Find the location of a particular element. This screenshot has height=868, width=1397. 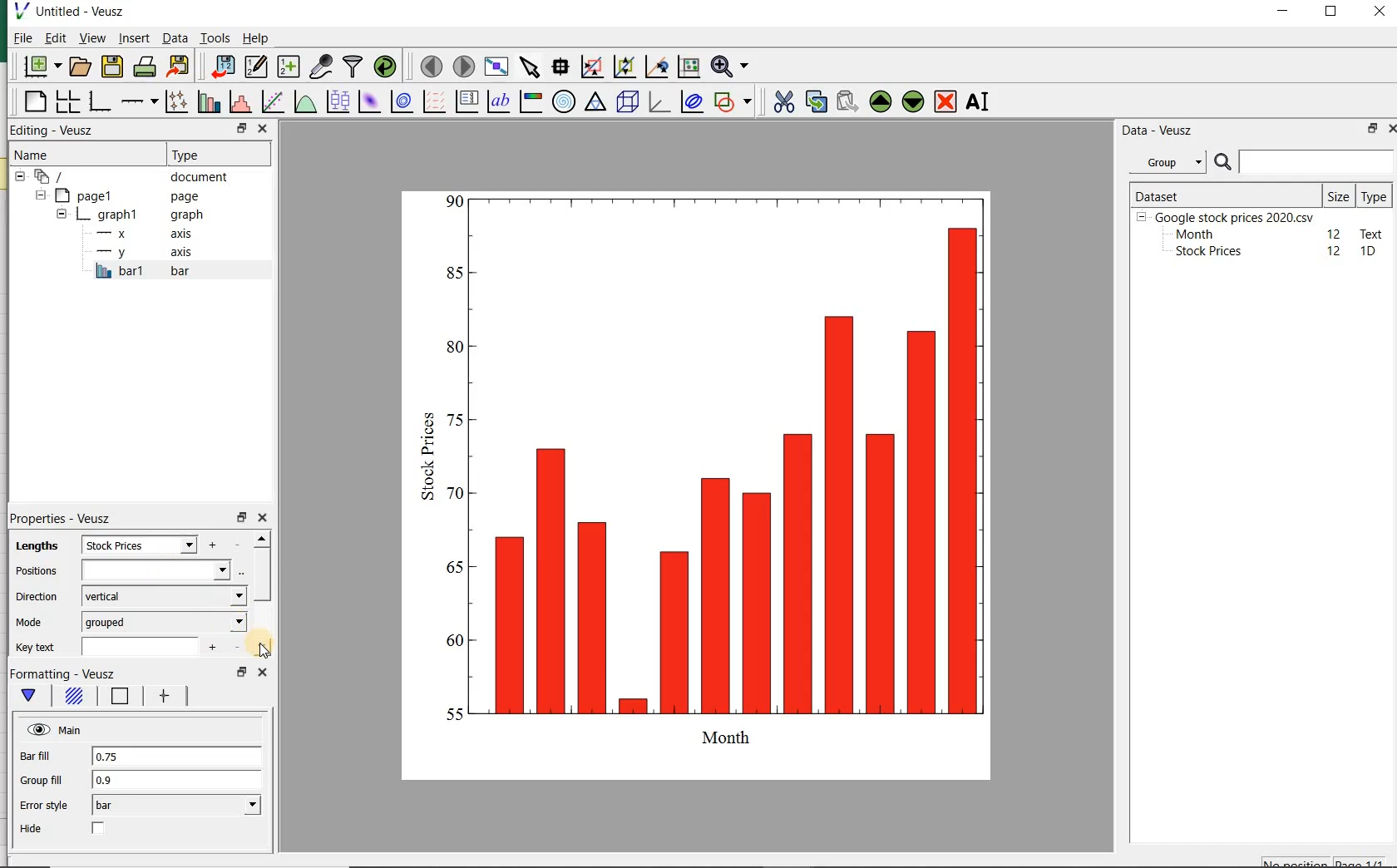

Group datasets with property given is located at coordinates (1163, 162).